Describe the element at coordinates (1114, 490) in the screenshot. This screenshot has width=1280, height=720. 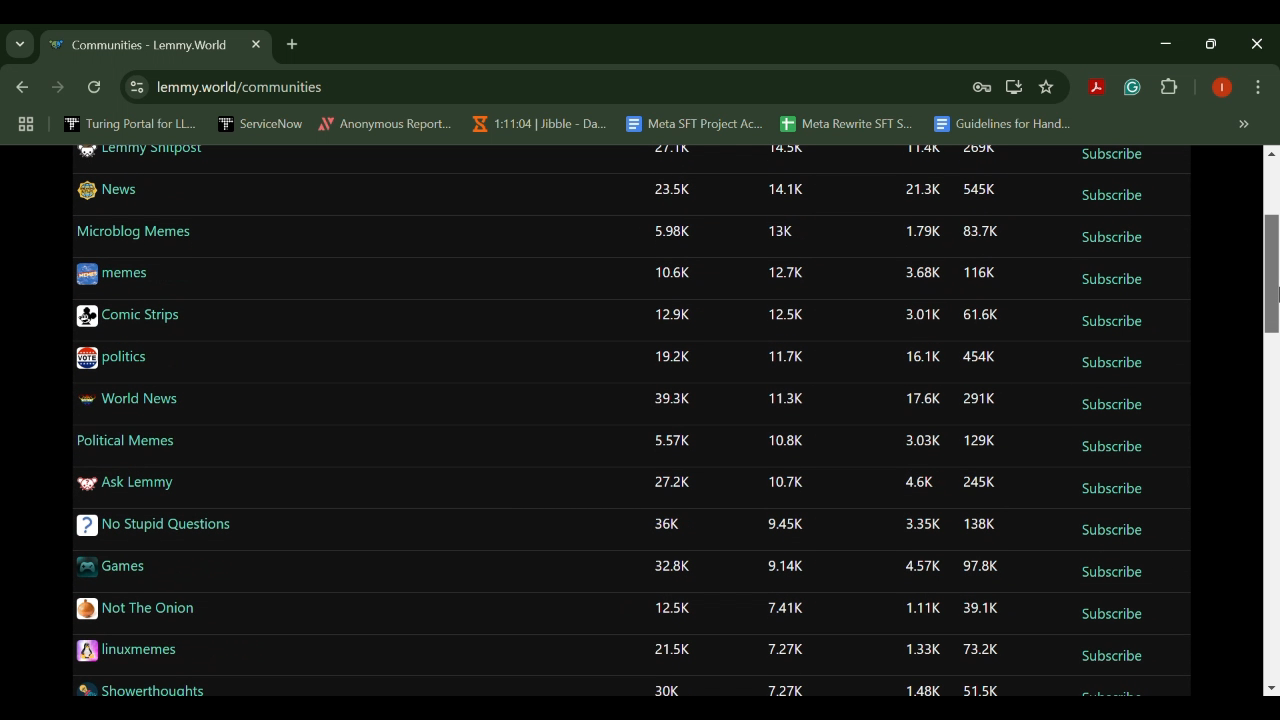
I see `Subscribe` at that location.